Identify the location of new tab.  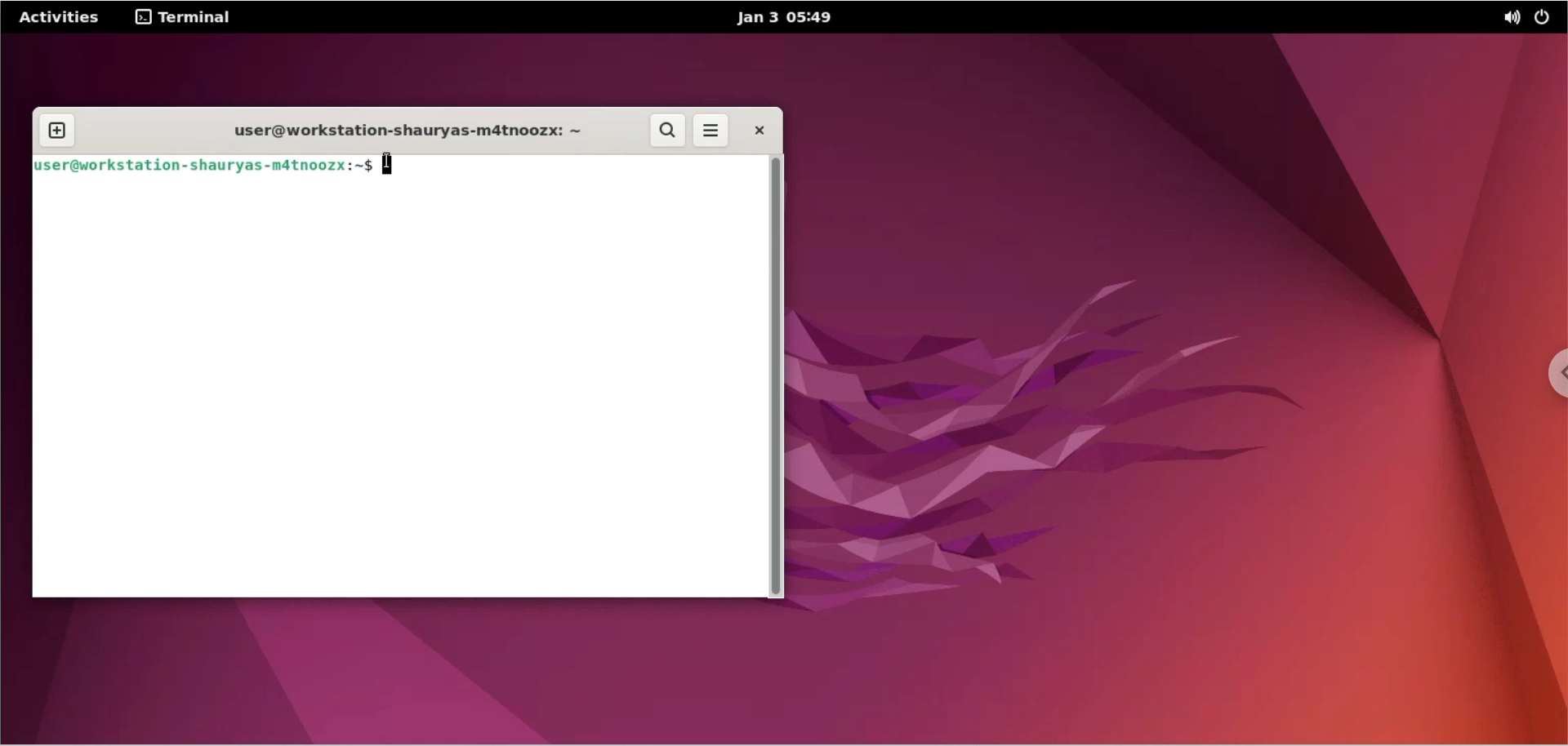
(58, 131).